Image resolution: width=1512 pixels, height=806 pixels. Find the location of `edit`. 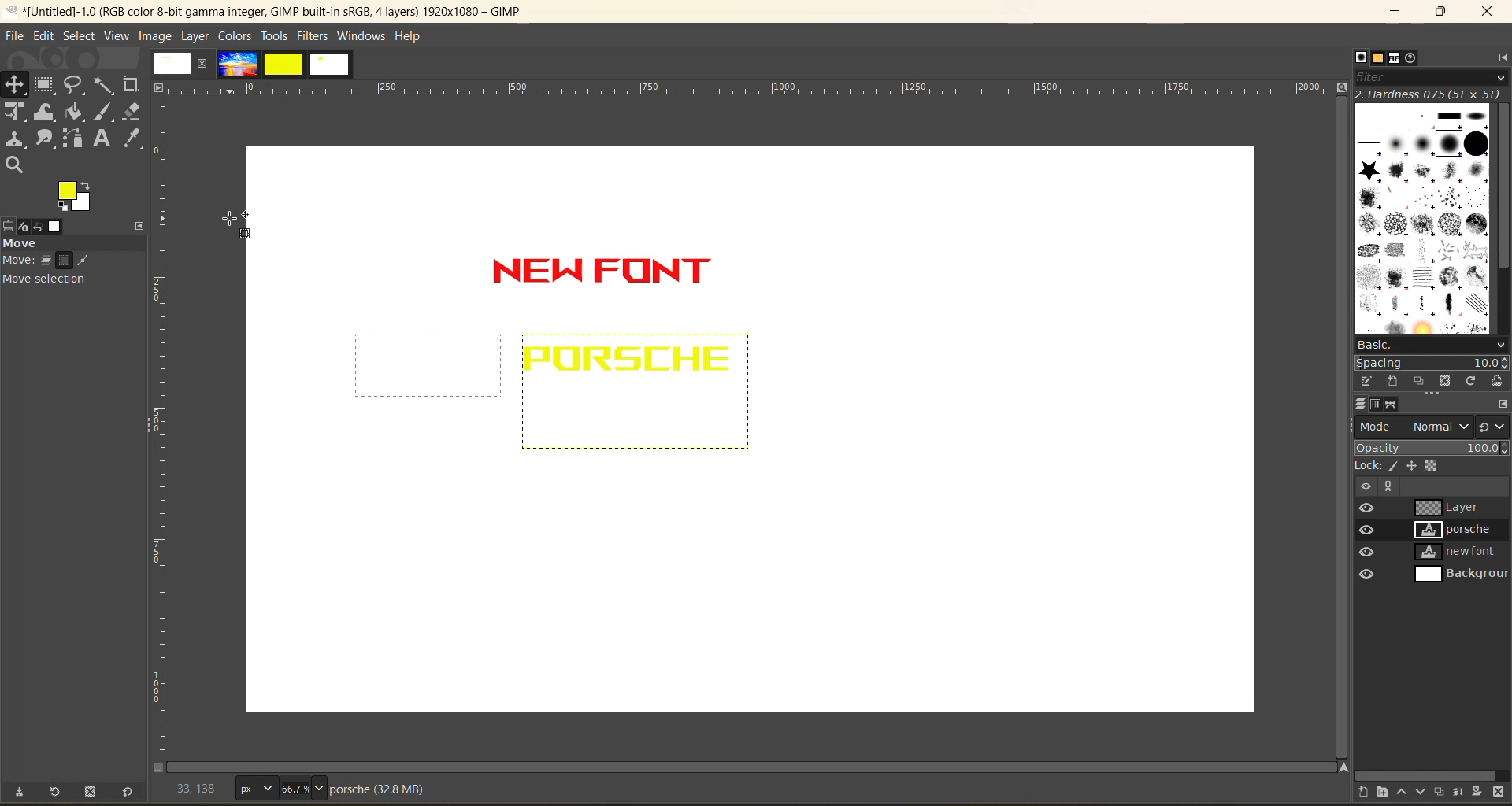

edit is located at coordinates (46, 37).